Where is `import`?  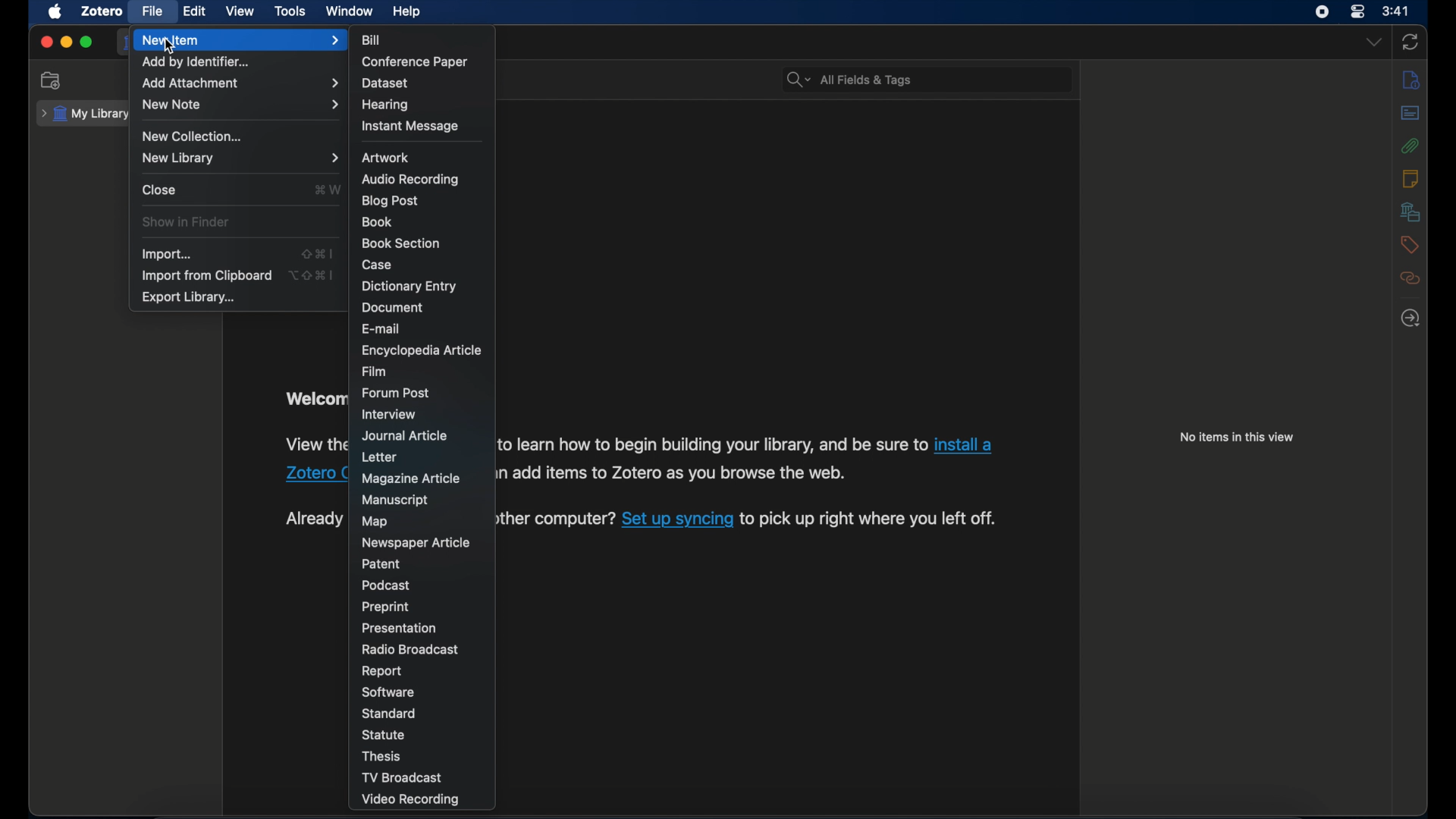 import is located at coordinates (169, 256).